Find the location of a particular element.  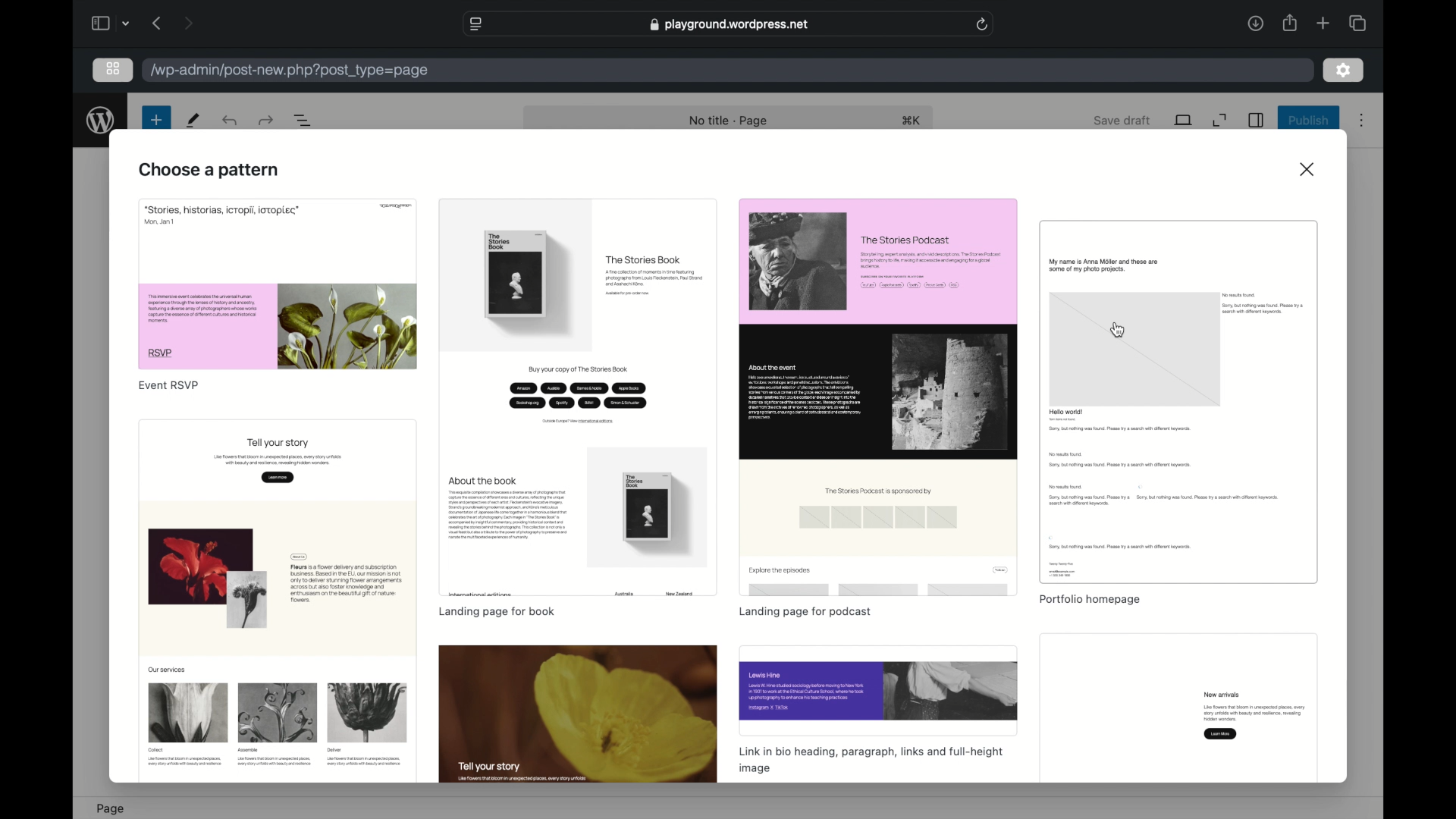

preview is located at coordinates (577, 397).